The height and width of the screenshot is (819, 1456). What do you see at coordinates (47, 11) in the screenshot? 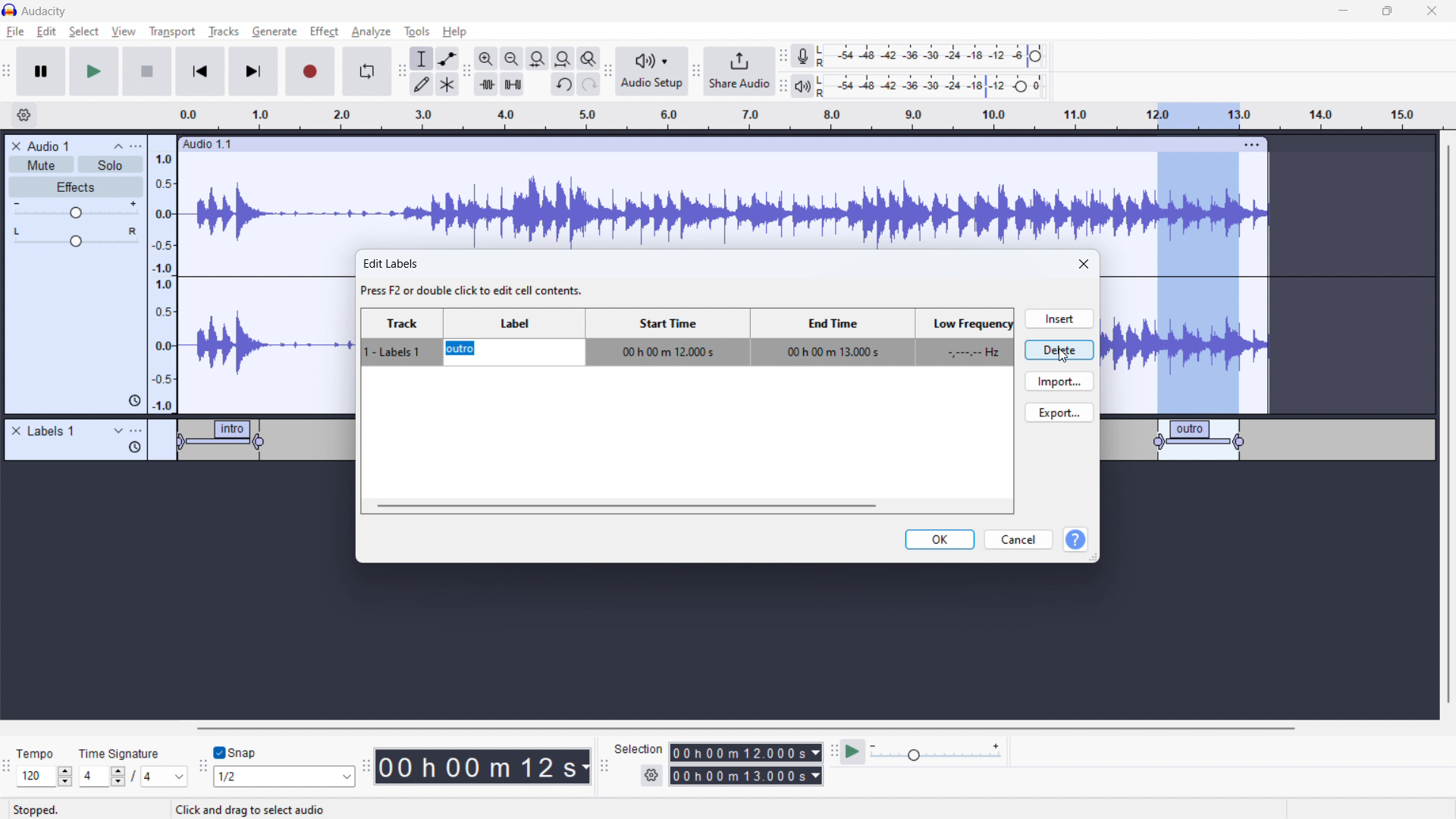
I see `Audacity` at bounding box center [47, 11].